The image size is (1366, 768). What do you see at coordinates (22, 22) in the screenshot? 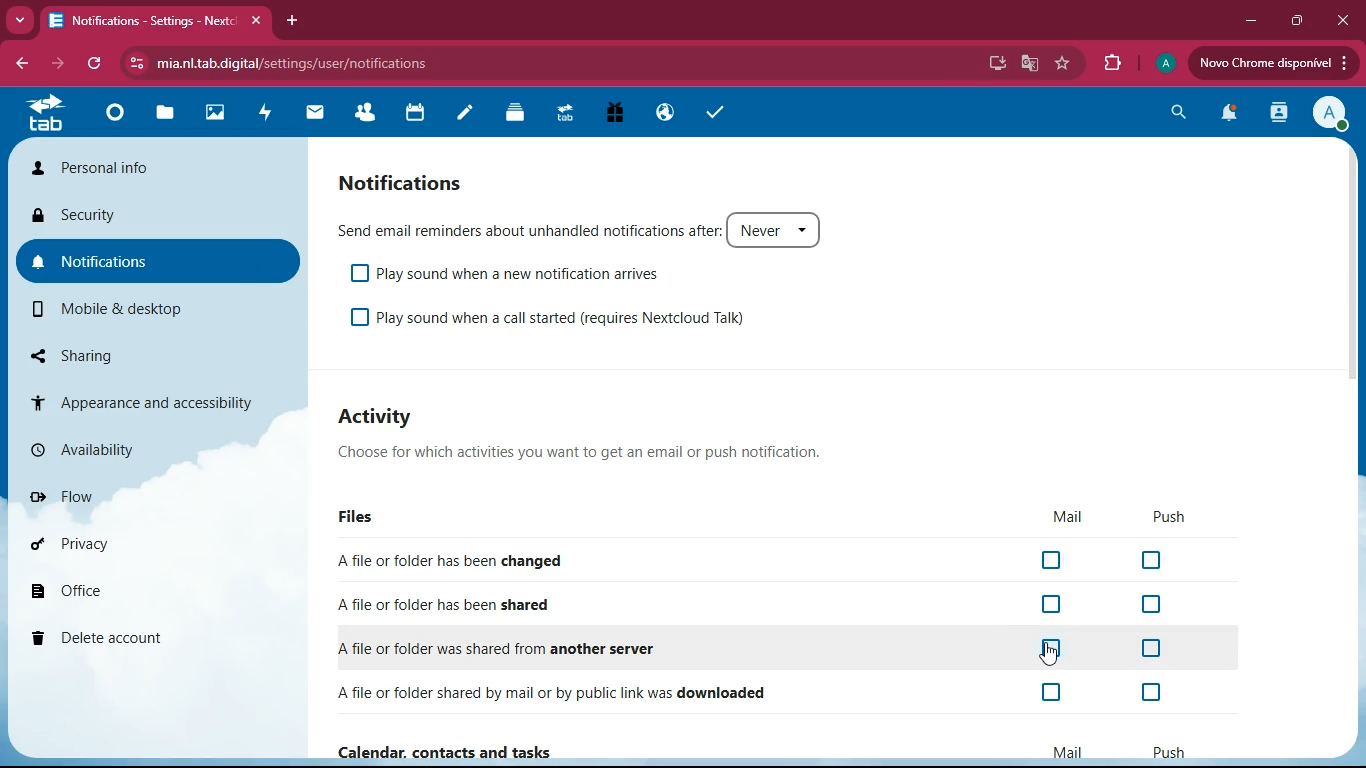
I see `more` at bounding box center [22, 22].